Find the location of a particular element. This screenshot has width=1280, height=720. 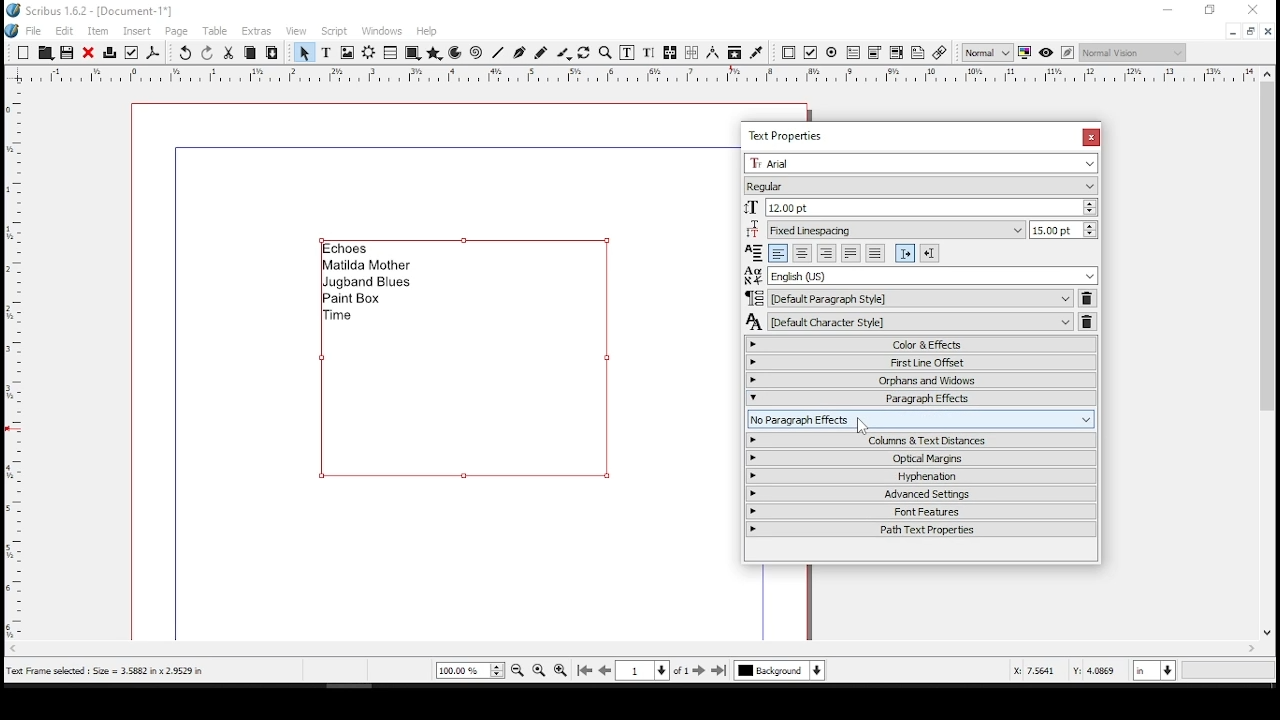

edit text with story editor is located at coordinates (645, 53).